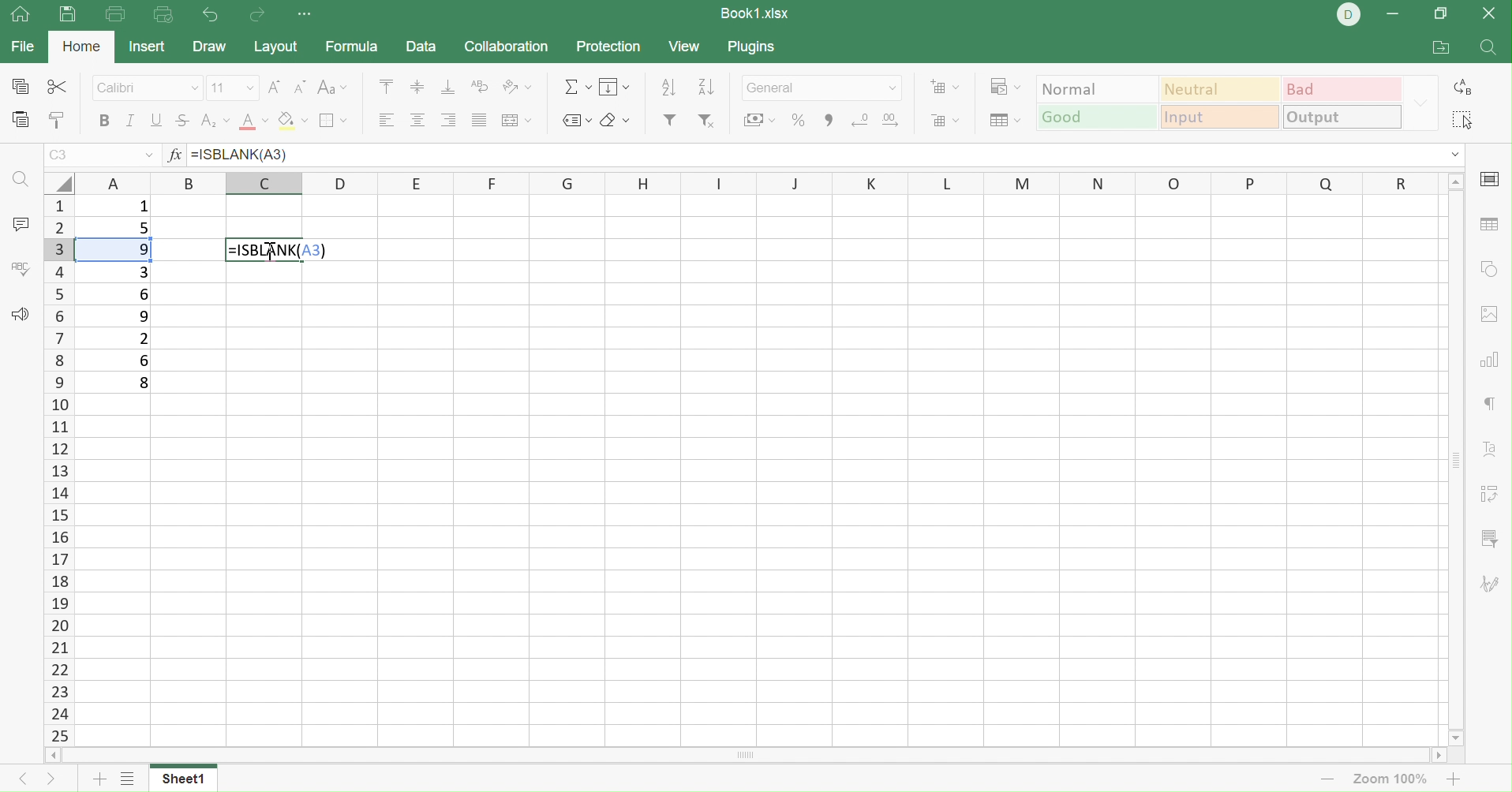 This screenshot has height=792, width=1512. I want to click on Align middle, so click(417, 86).